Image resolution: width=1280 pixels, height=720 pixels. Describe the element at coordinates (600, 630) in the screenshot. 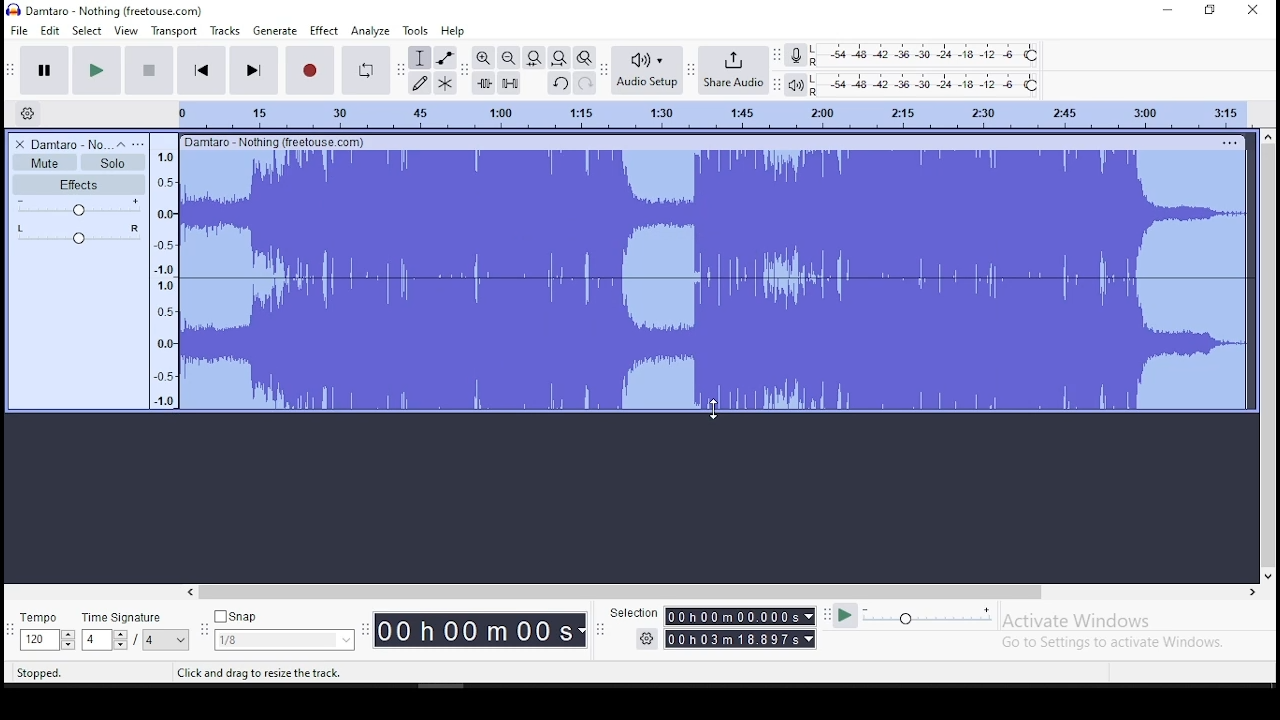

I see `` at that location.